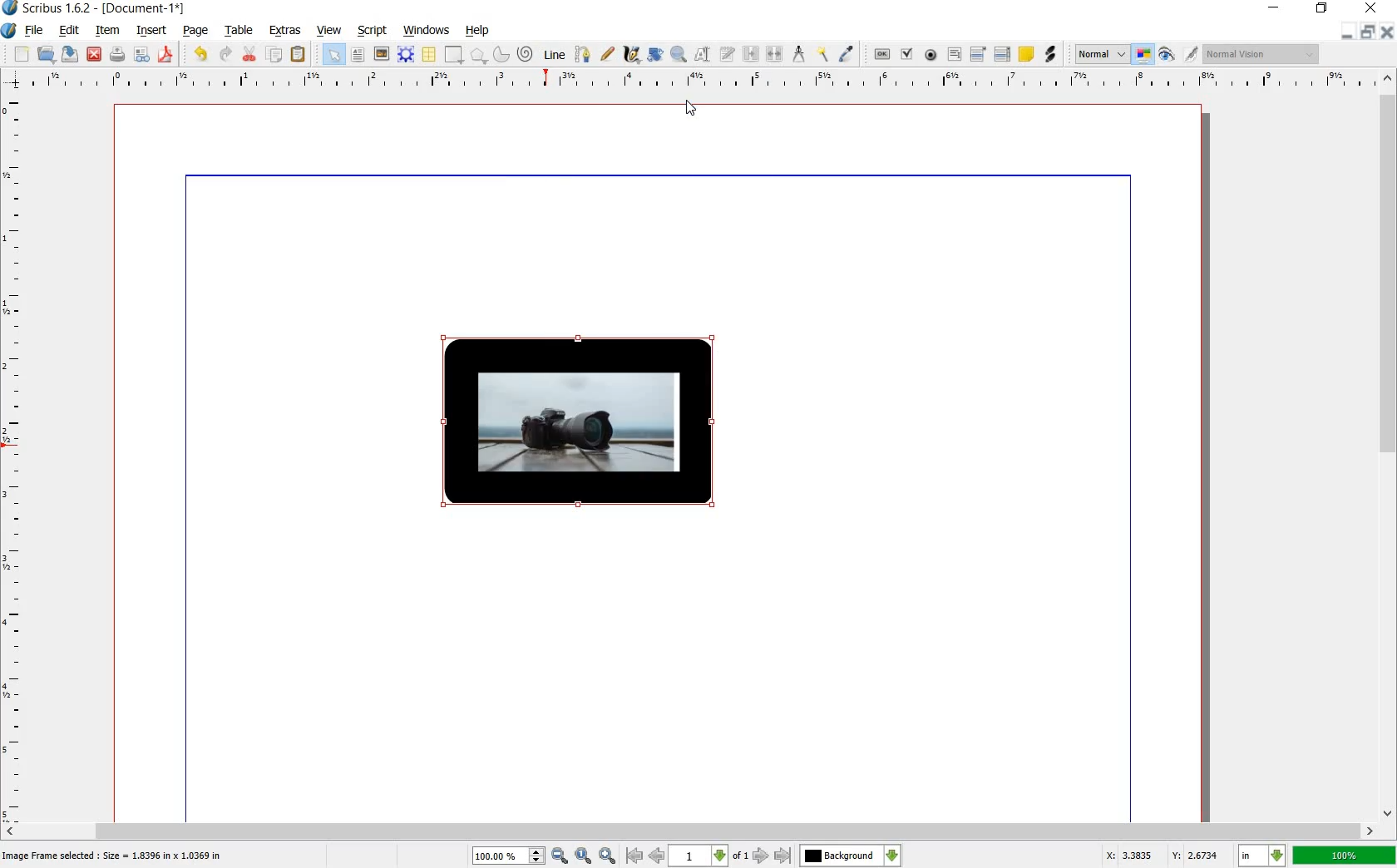 This screenshot has width=1397, height=868. Describe the element at coordinates (452, 55) in the screenshot. I see `shape` at that location.